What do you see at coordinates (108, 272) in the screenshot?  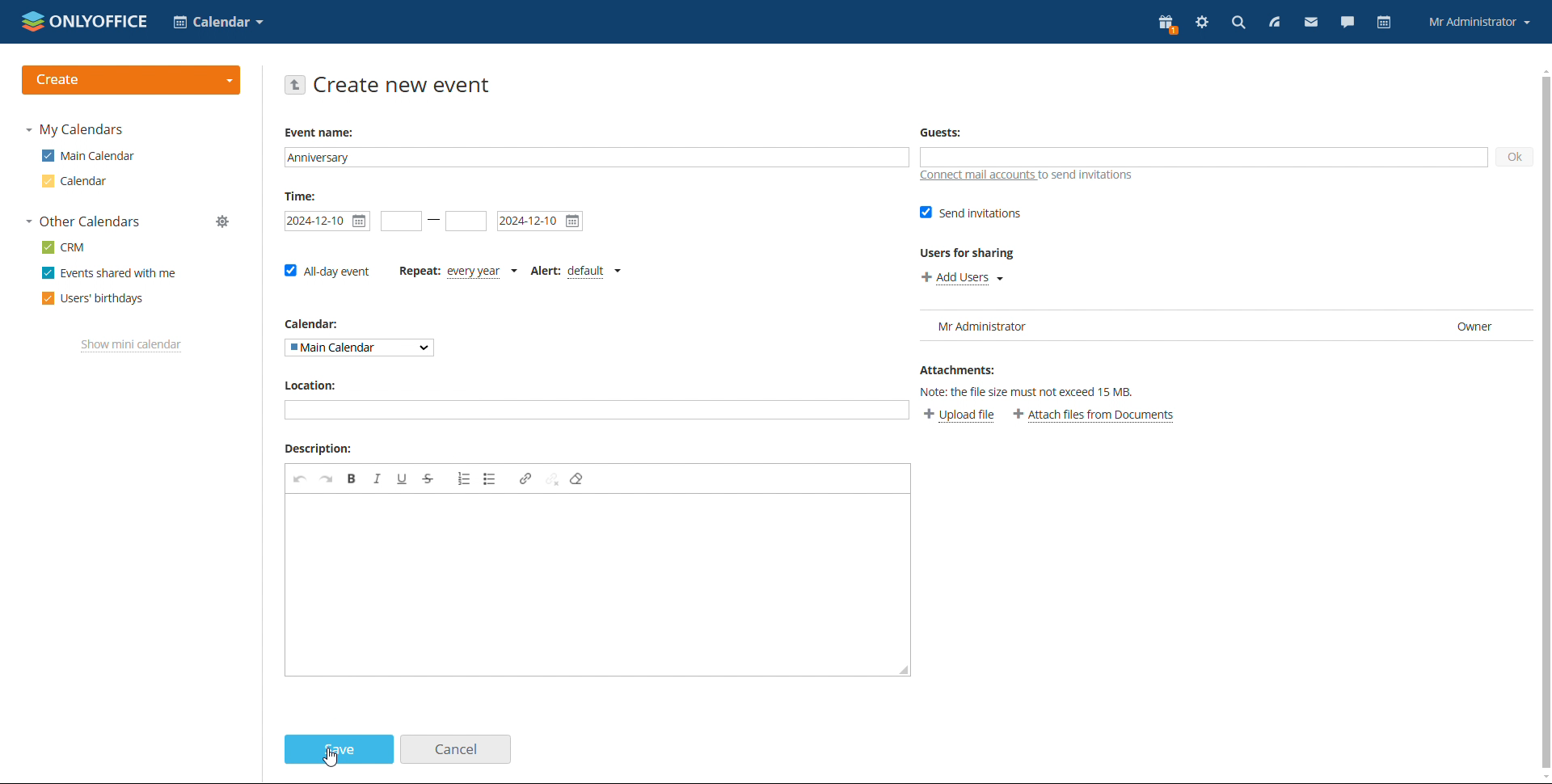 I see `events shared with me` at bounding box center [108, 272].